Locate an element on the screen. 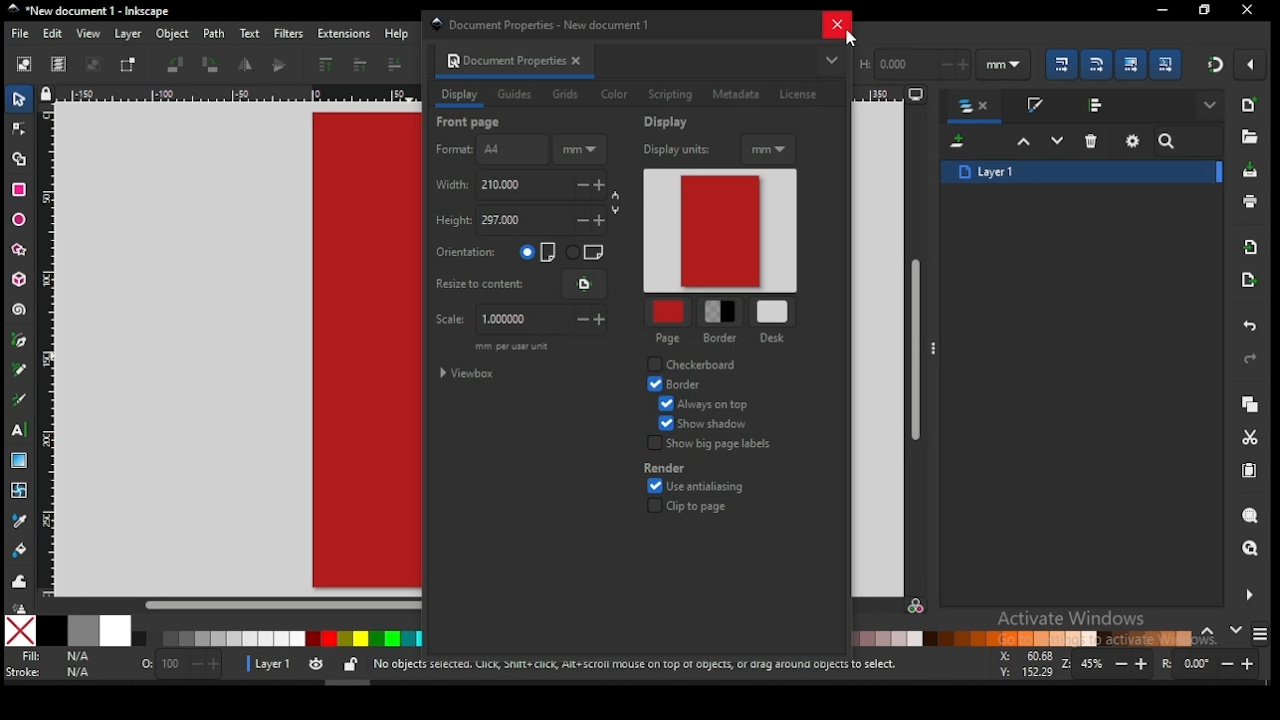  new layer is located at coordinates (960, 143).